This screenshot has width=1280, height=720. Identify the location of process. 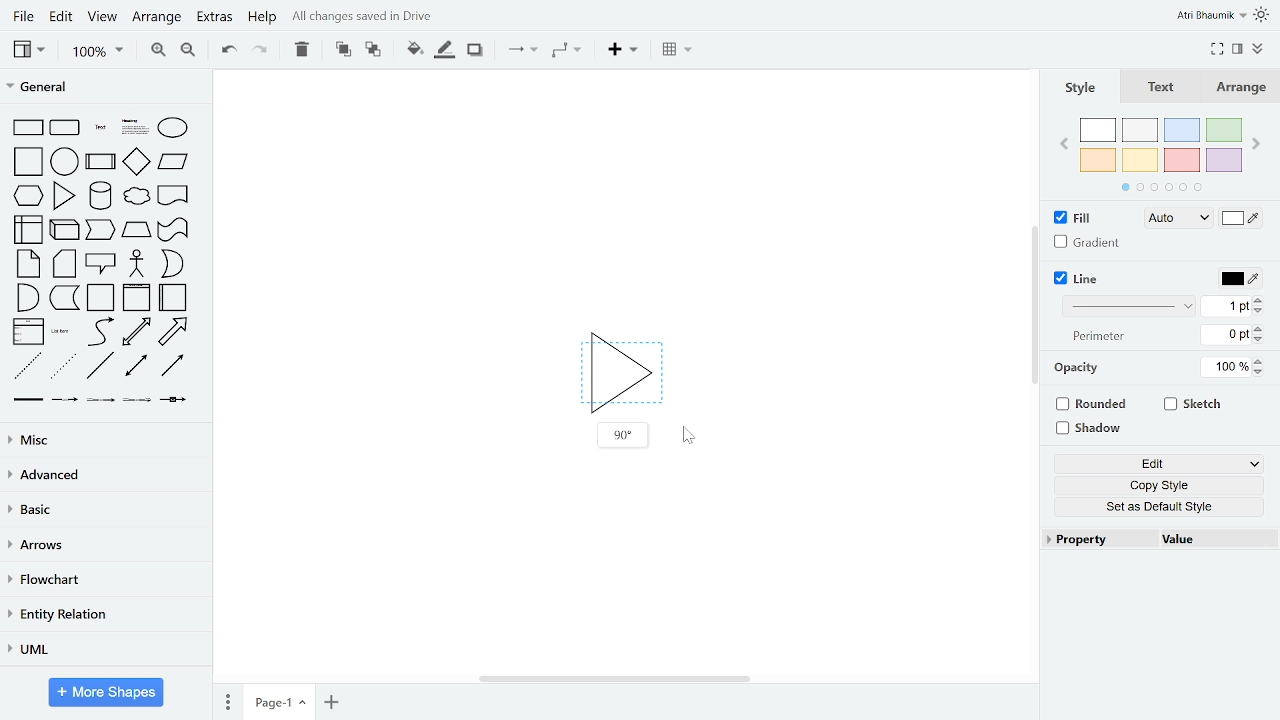
(101, 161).